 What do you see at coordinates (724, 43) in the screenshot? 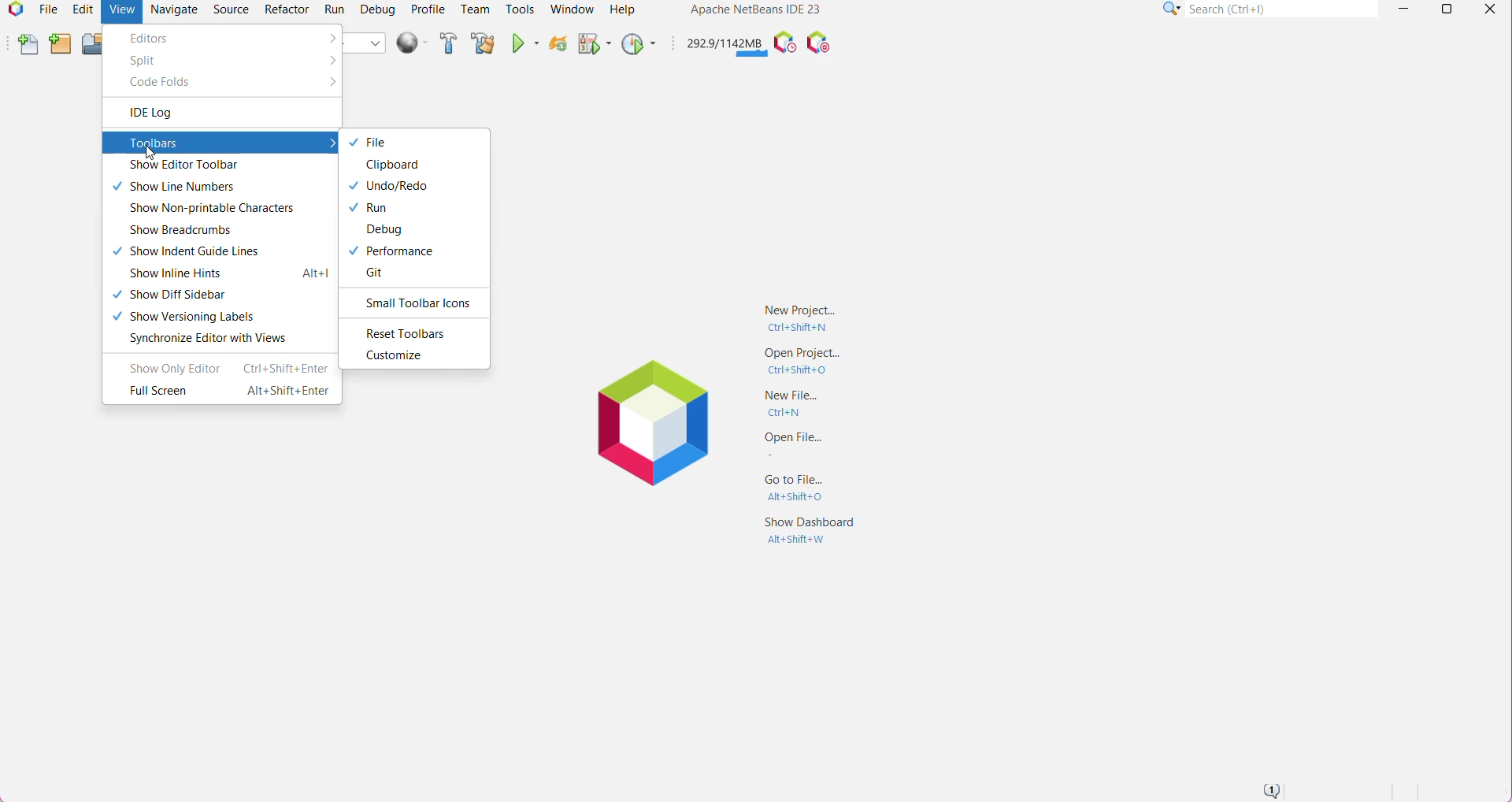
I see `Click to force garbage collection` at bounding box center [724, 43].